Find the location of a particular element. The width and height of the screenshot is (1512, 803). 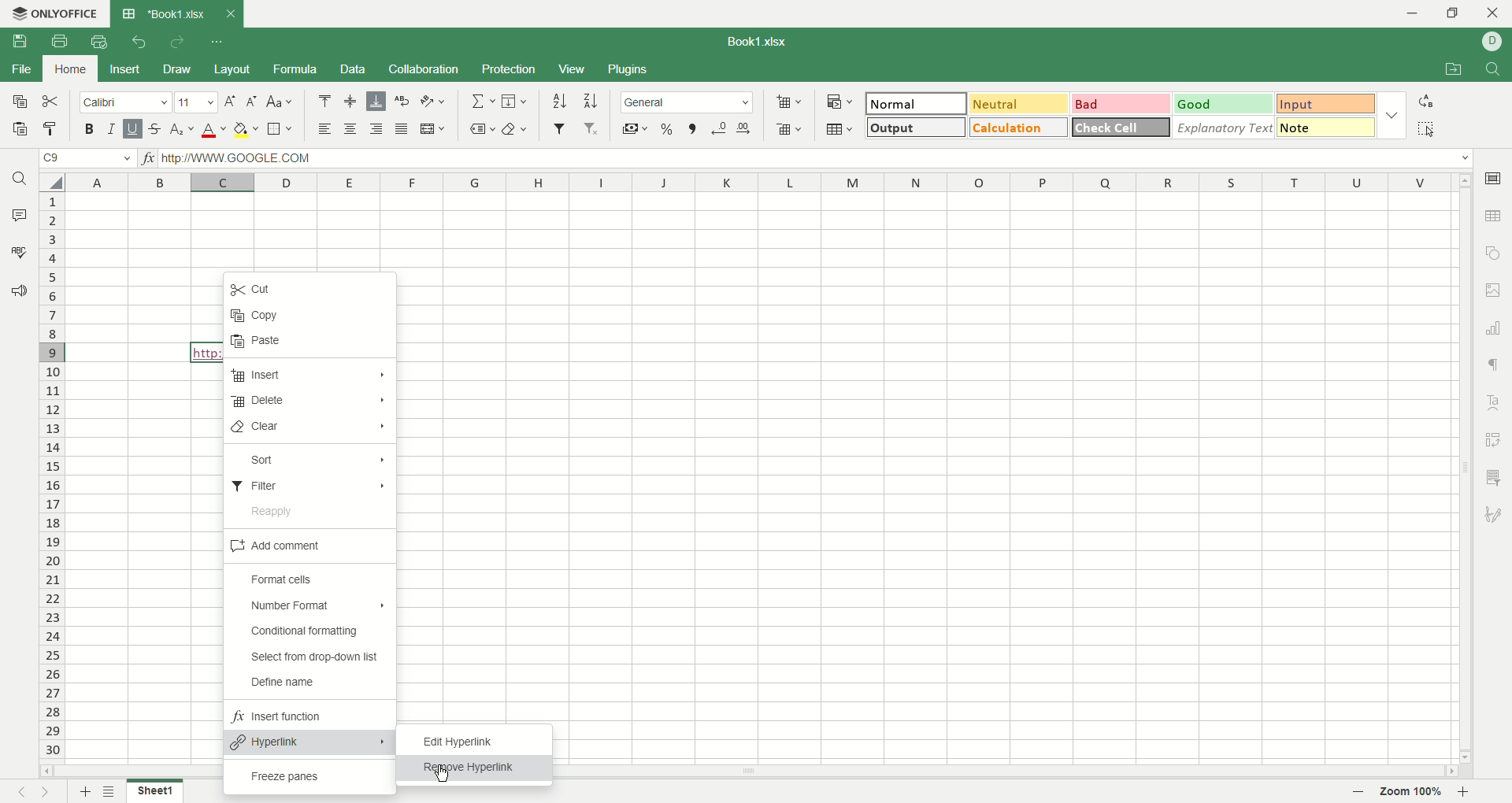

conditional formatting is located at coordinates (840, 101).